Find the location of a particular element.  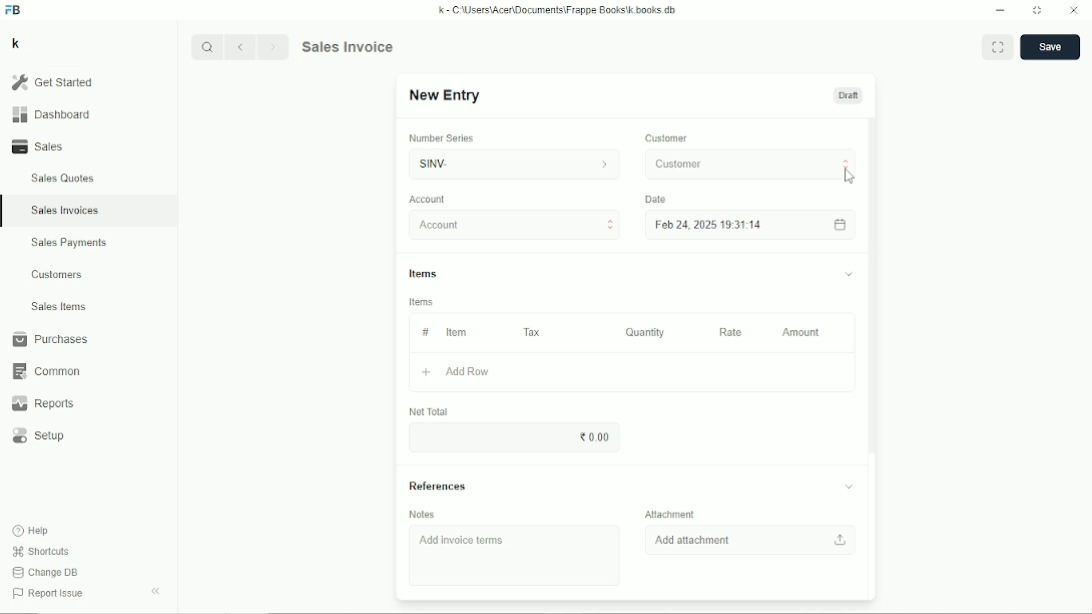

Sales payments is located at coordinates (72, 243).